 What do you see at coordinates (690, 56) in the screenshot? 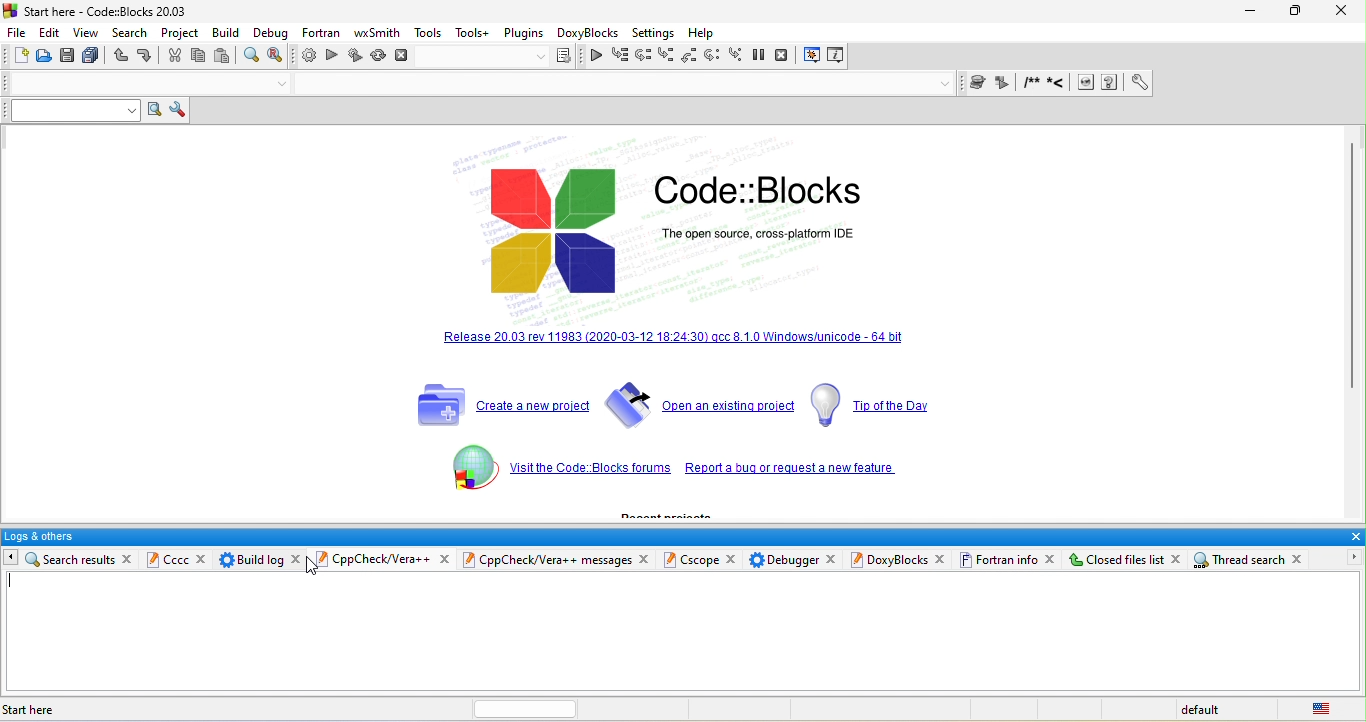
I see `step out` at bounding box center [690, 56].